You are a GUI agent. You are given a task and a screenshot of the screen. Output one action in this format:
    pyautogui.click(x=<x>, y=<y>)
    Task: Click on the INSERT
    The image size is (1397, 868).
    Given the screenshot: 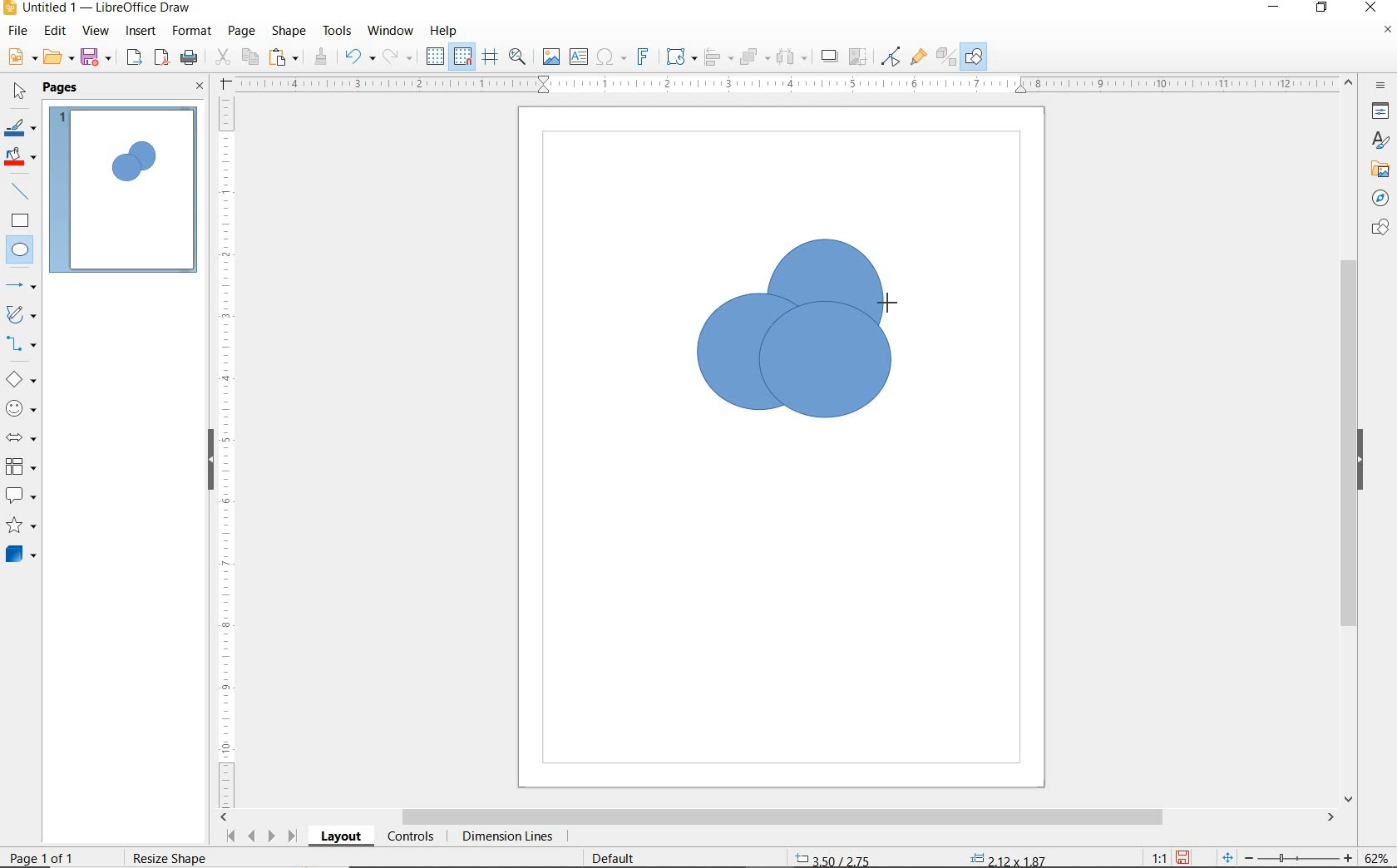 What is the action you would take?
    pyautogui.click(x=143, y=32)
    